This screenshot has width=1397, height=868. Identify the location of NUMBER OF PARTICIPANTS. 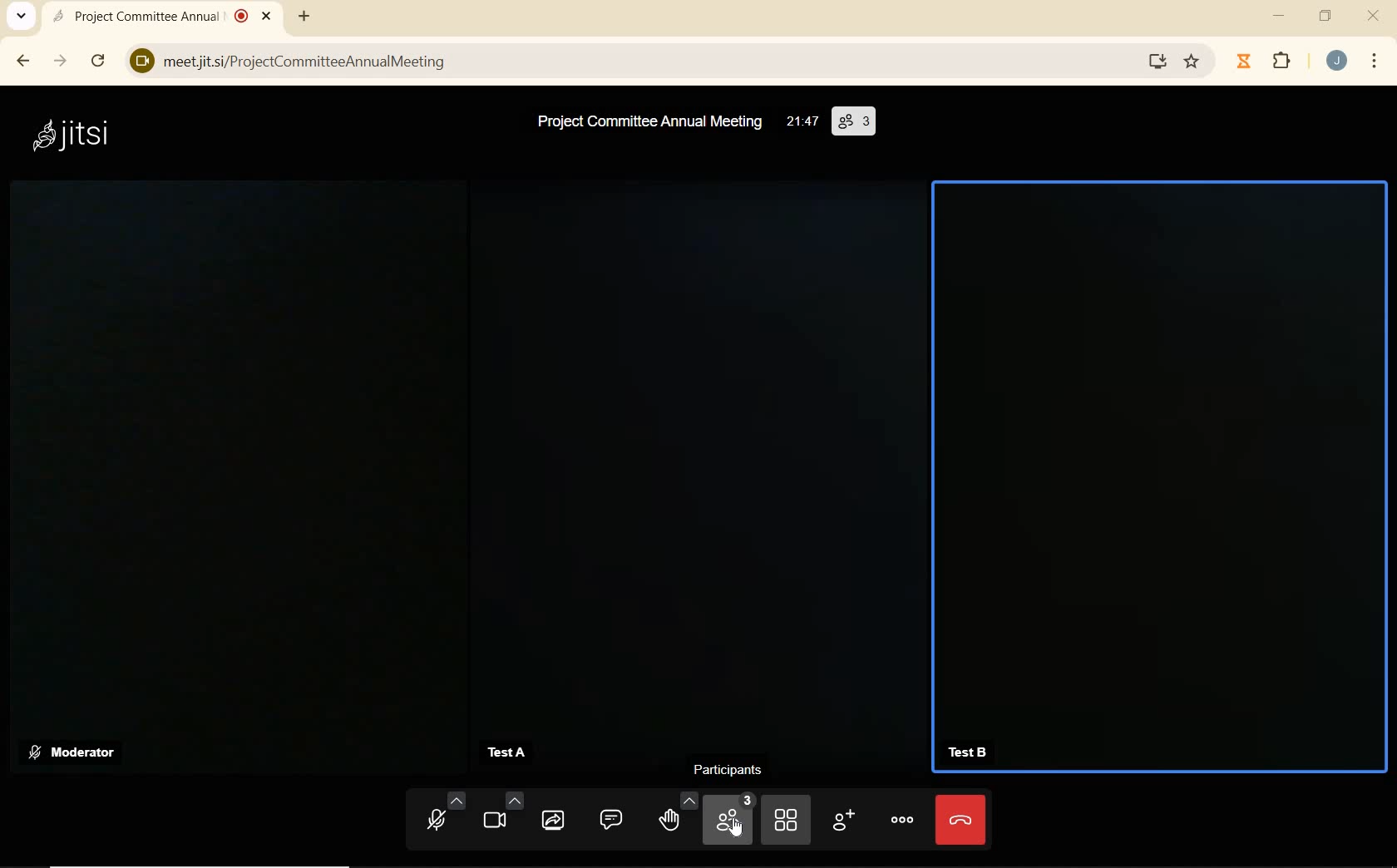
(855, 122).